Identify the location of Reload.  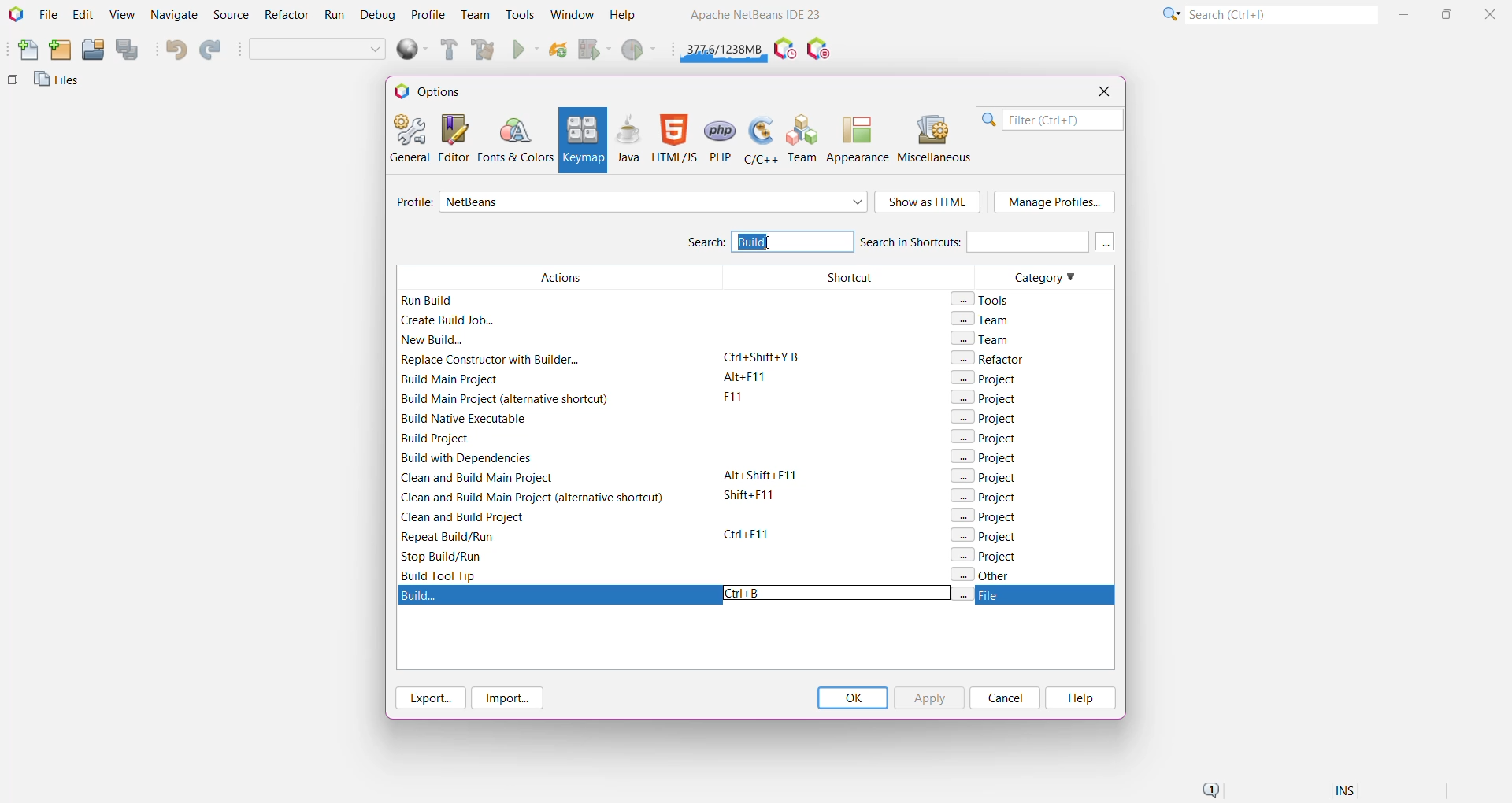
(558, 51).